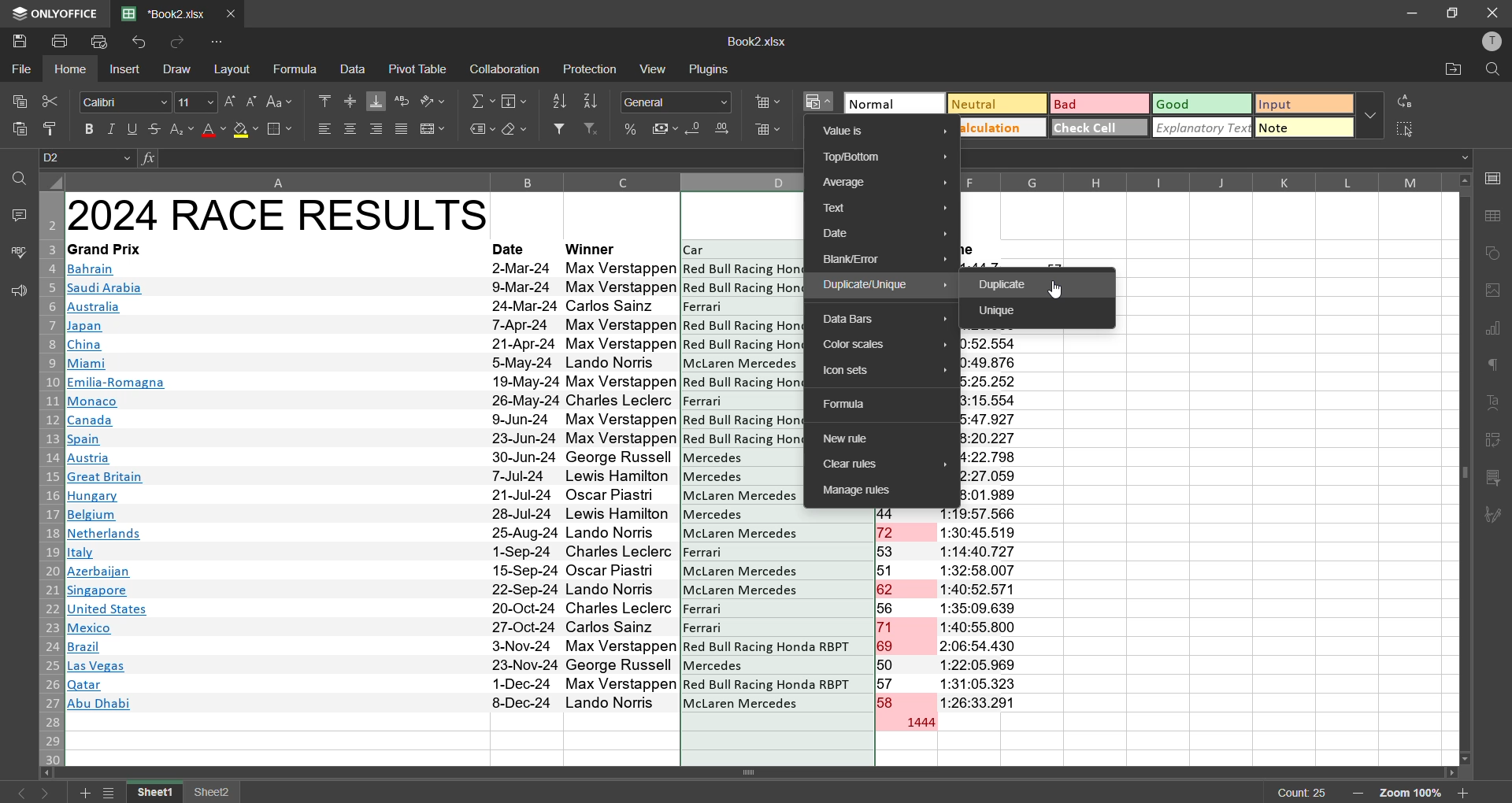  I want to click on fill color, so click(246, 131).